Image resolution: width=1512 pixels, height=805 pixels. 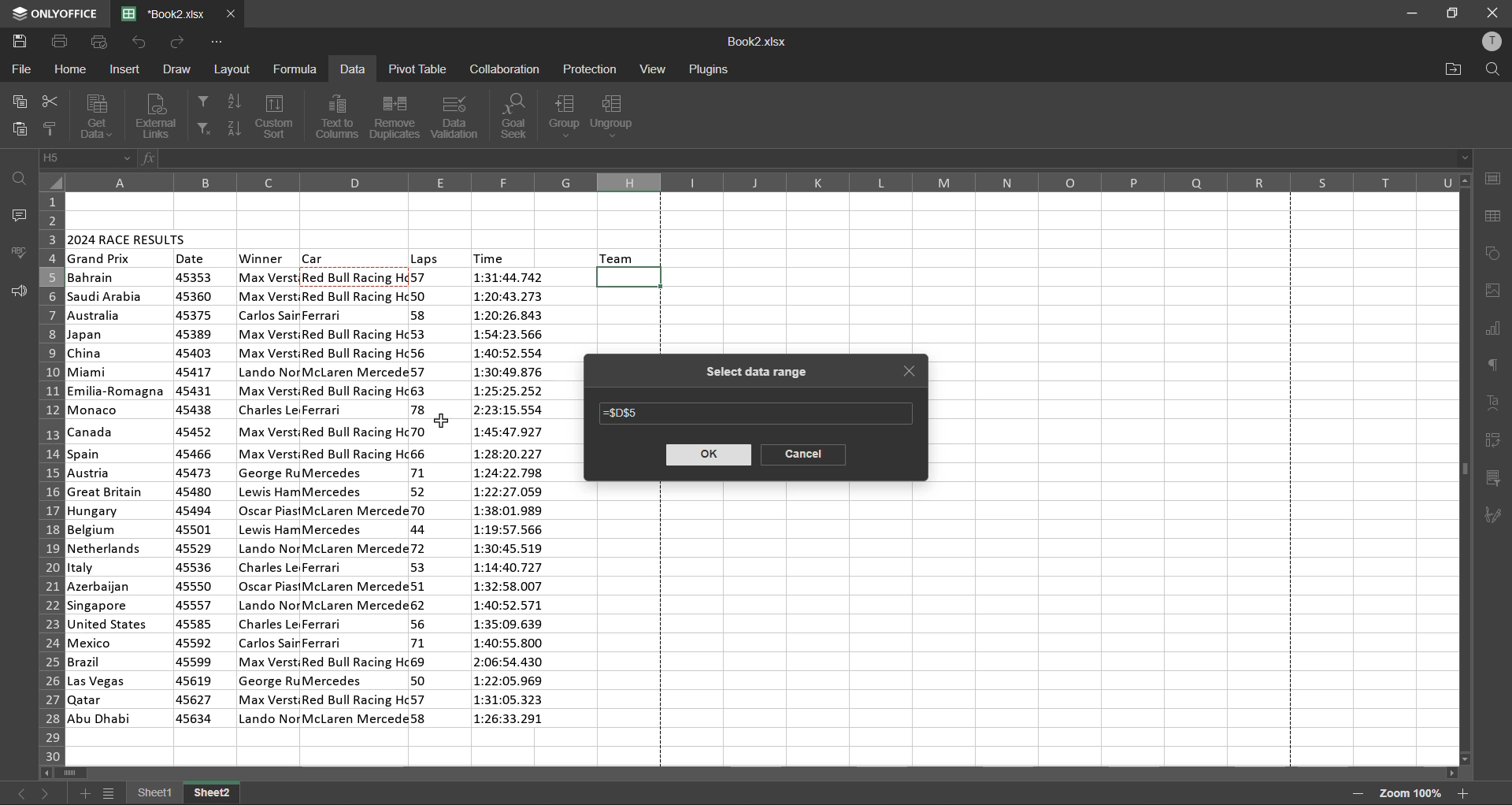 What do you see at coordinates (416, 69) in the screenshot?
I see `pivot table` at bounding box center [416, 69].